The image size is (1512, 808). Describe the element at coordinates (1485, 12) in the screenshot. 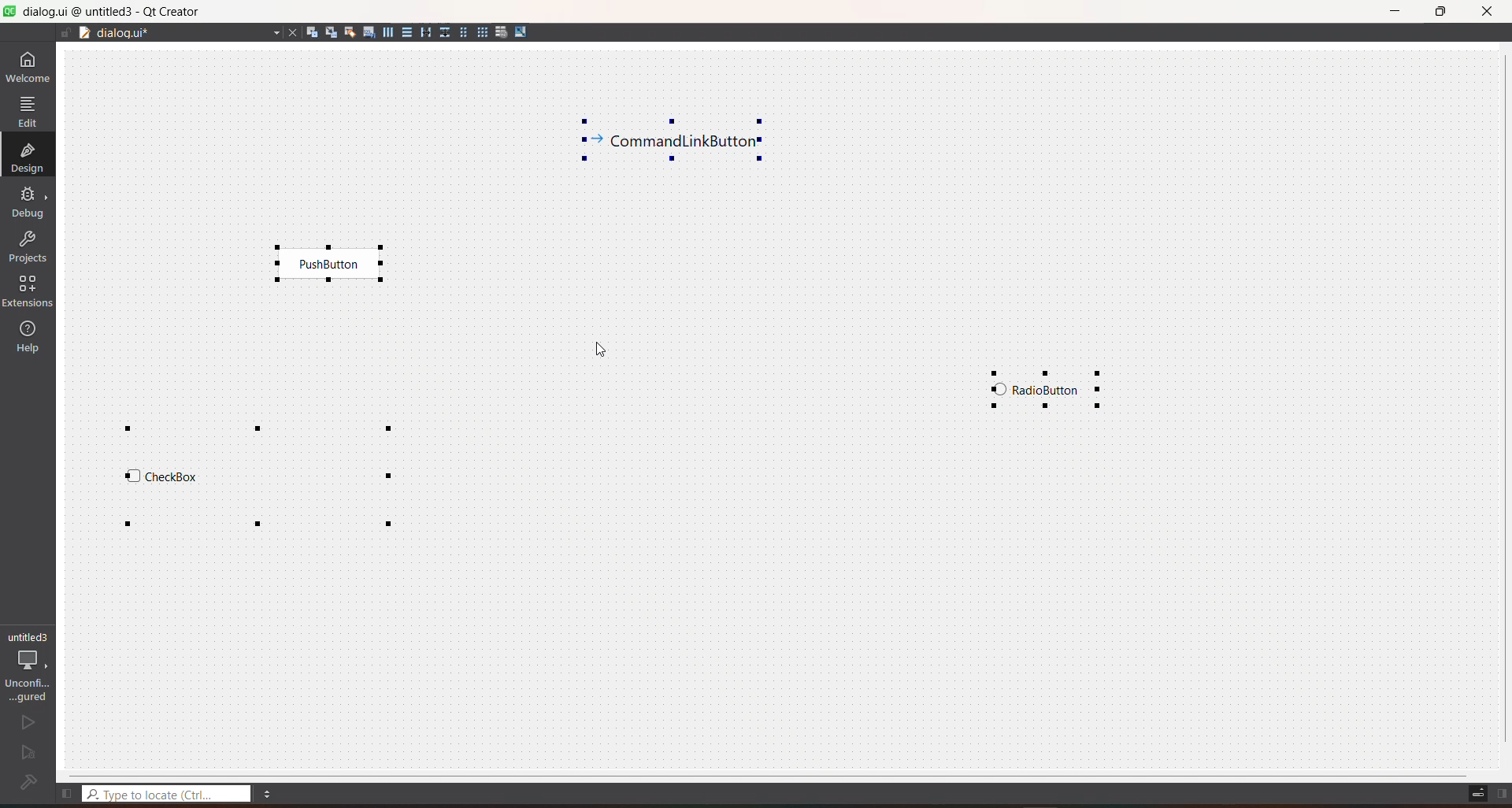

I see `close` at that location.